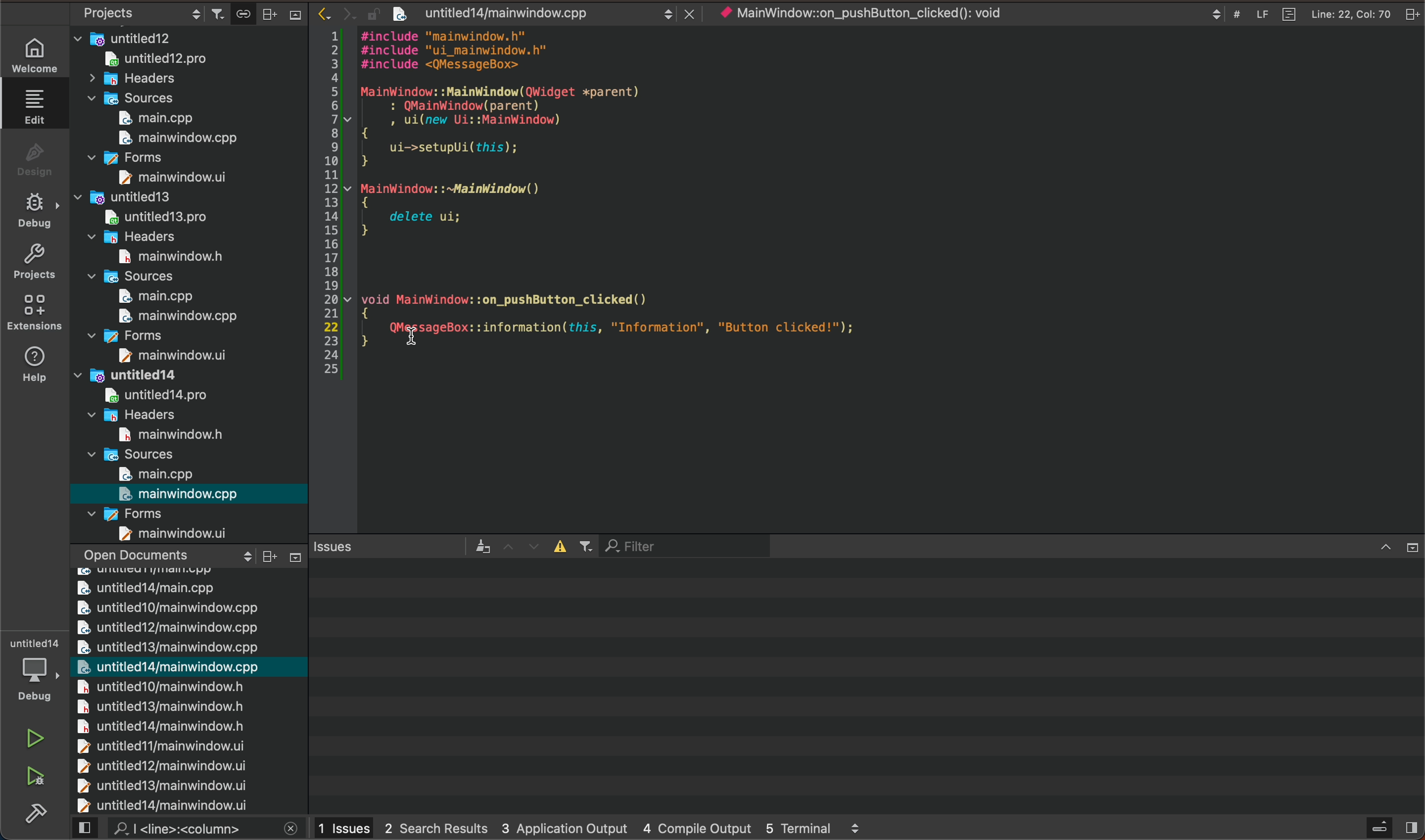  What do you see at coordinates (284, 554) in the screenshot?
I see `` at bounding box center [284, 554].